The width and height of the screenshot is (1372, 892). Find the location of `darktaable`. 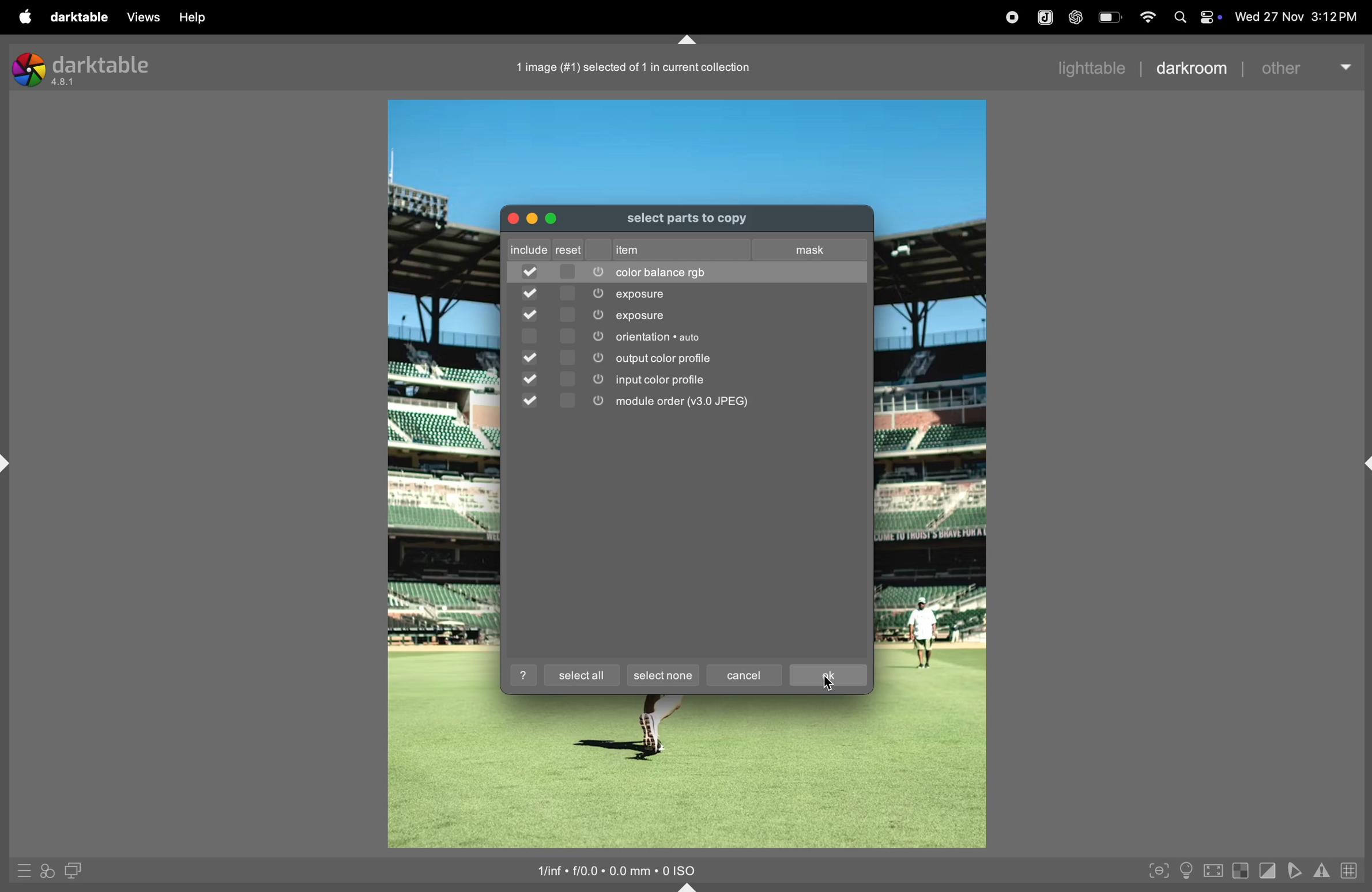

darktaable is located at coordinates (84, 17).